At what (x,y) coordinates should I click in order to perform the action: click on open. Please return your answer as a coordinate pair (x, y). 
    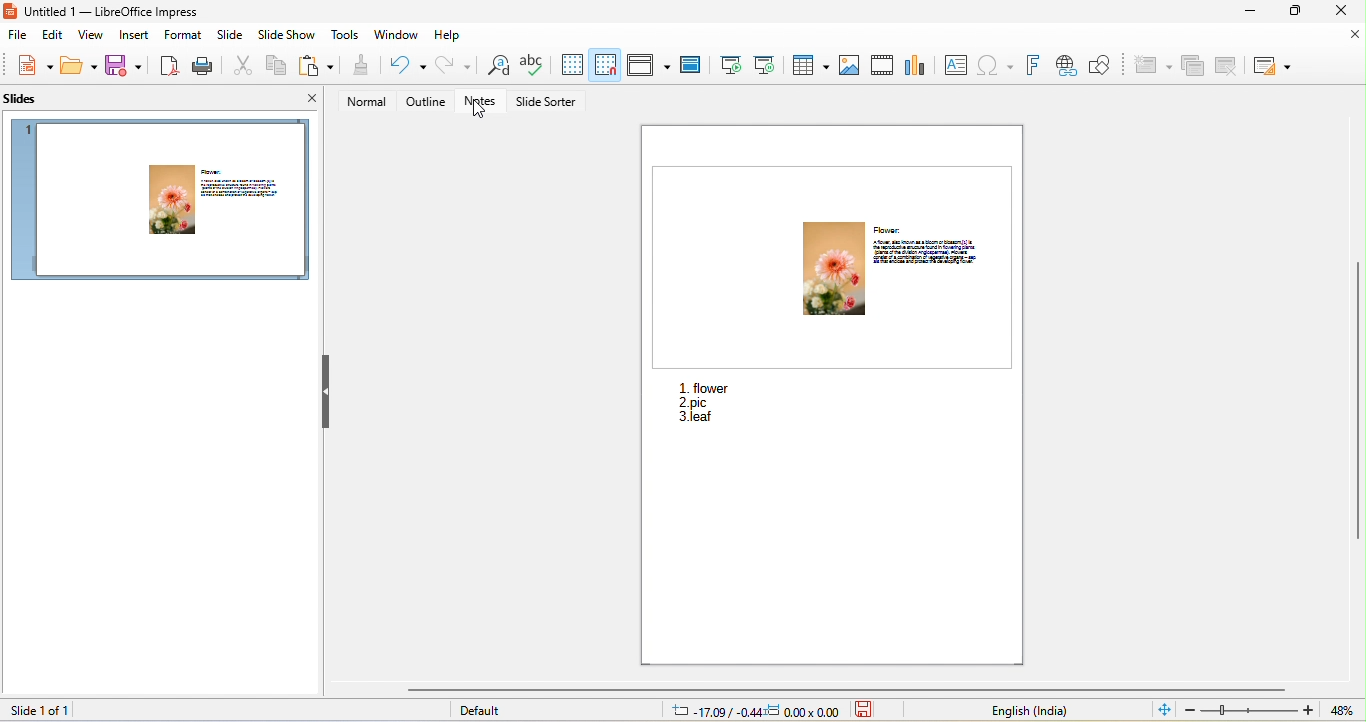
    Looking at the image, I should click on (79, 65).